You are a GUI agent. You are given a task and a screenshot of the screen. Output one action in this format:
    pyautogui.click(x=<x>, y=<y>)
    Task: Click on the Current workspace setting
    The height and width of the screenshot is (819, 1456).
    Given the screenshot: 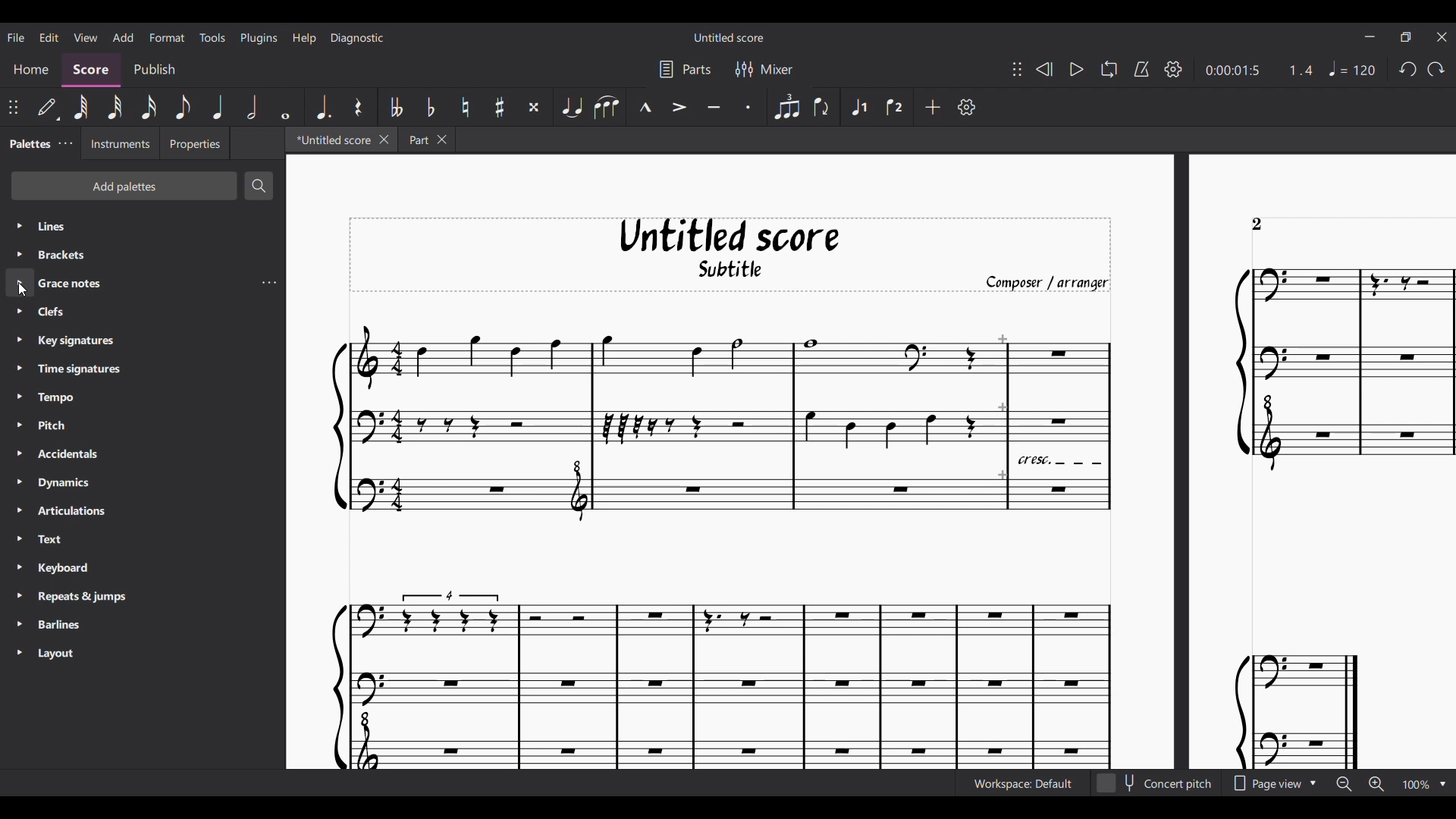 What is the action you would take?
    pyautogui.click(x=1022, y=783)
    